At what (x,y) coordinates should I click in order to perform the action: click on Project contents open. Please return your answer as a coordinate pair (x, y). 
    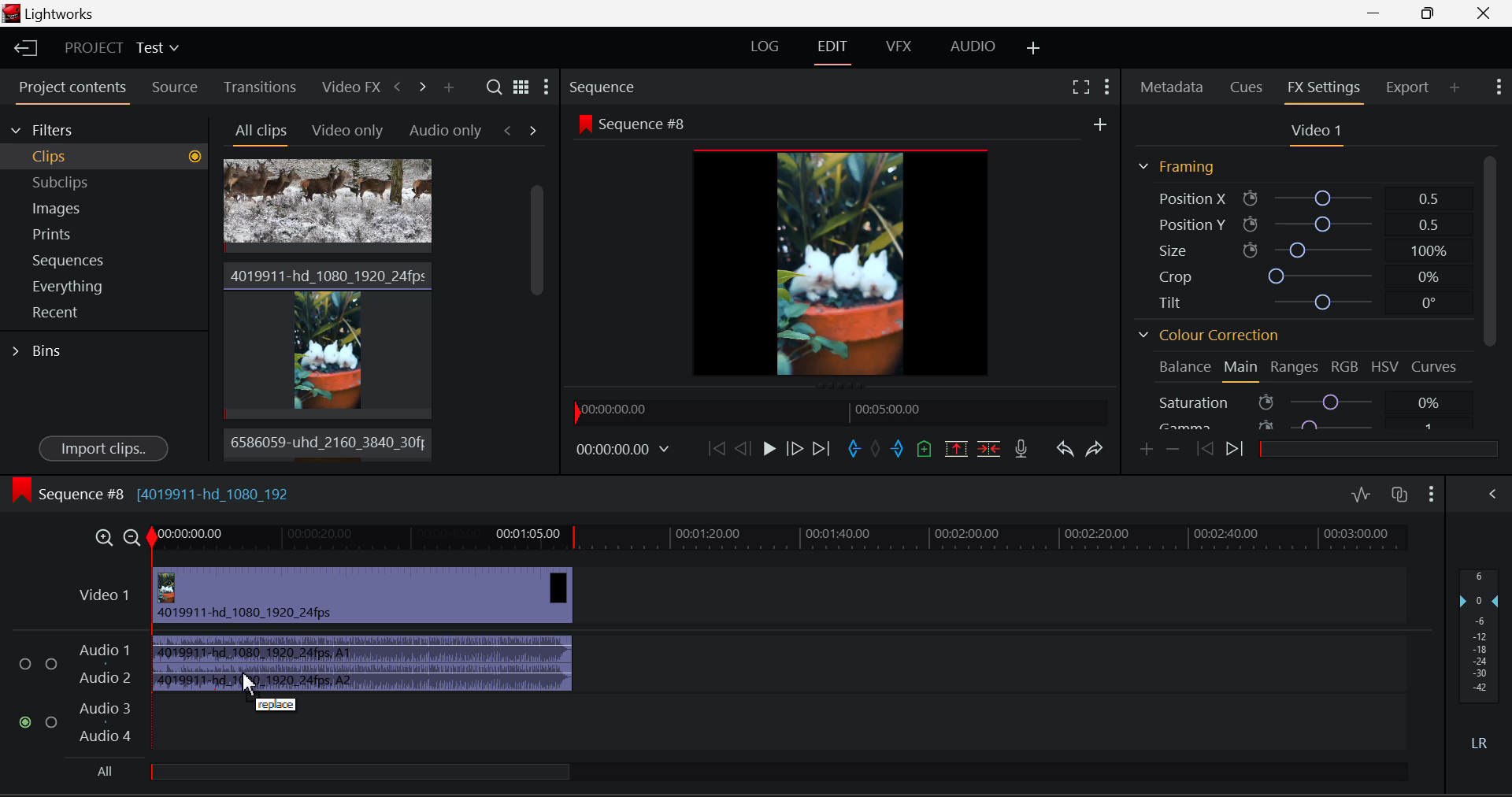
    Looking at the image, I should click on (70, 92).